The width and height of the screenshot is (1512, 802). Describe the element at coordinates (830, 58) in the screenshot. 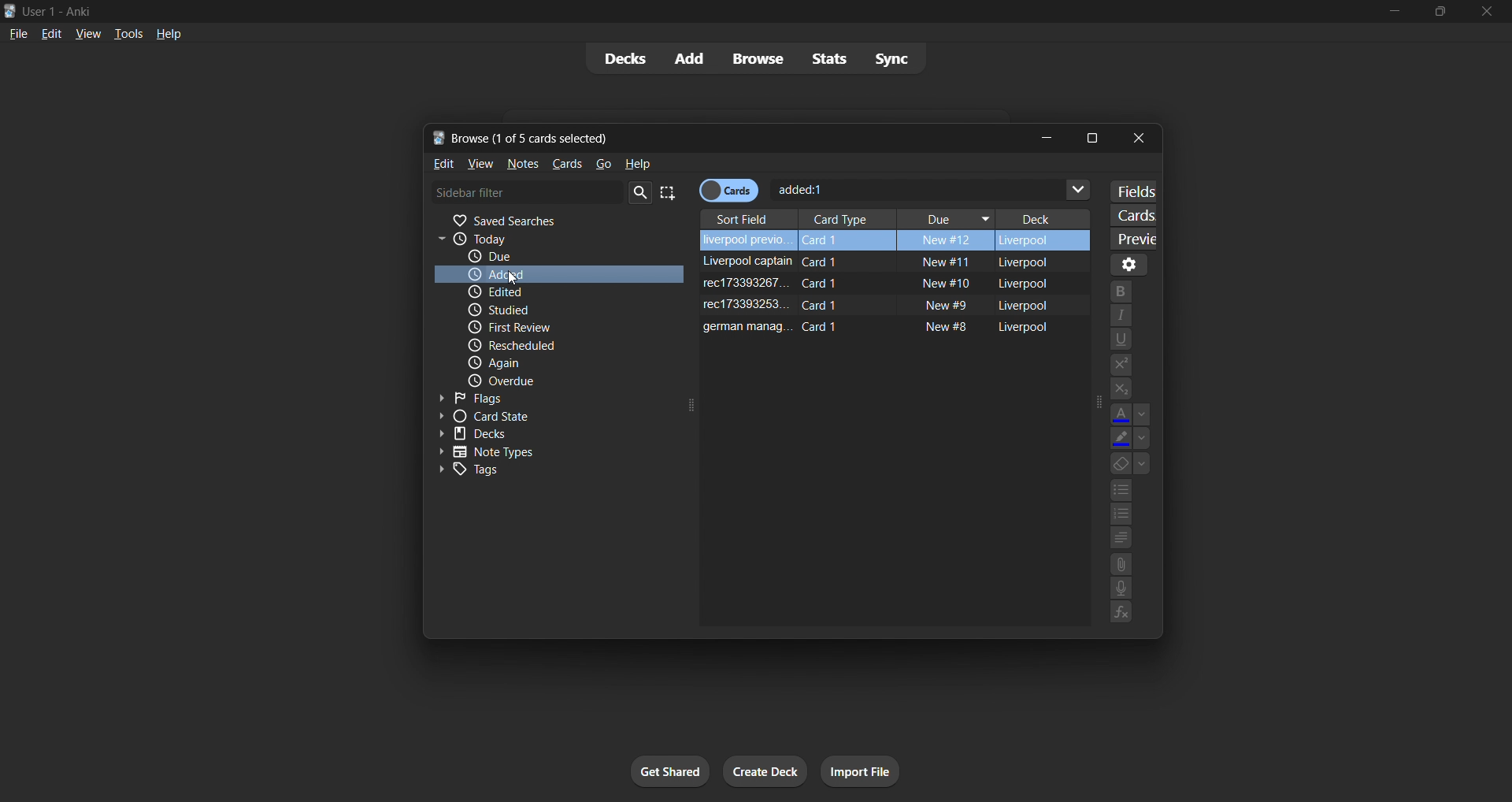

I see `stats` at that location.